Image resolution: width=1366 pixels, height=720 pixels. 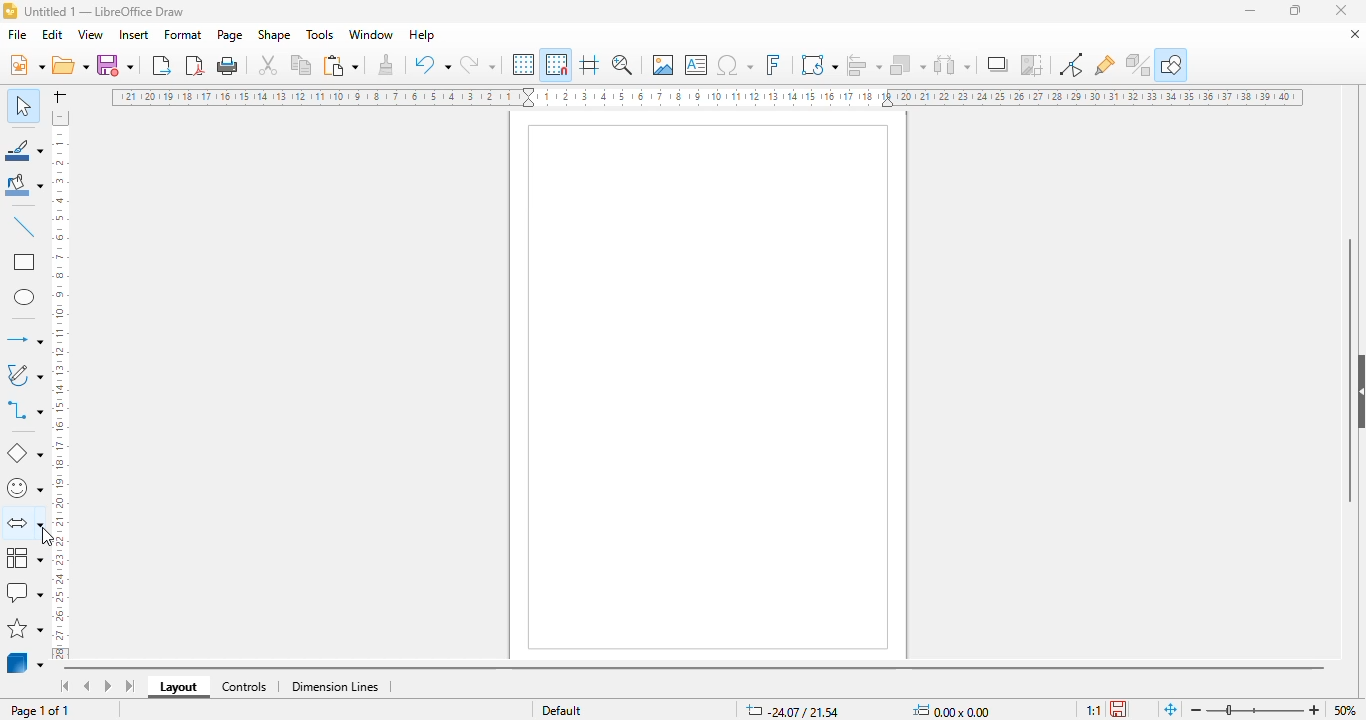 What do you see at coordinates (133, 35) in the screenshot?
I see `insert` at bounding box center [133, 35].